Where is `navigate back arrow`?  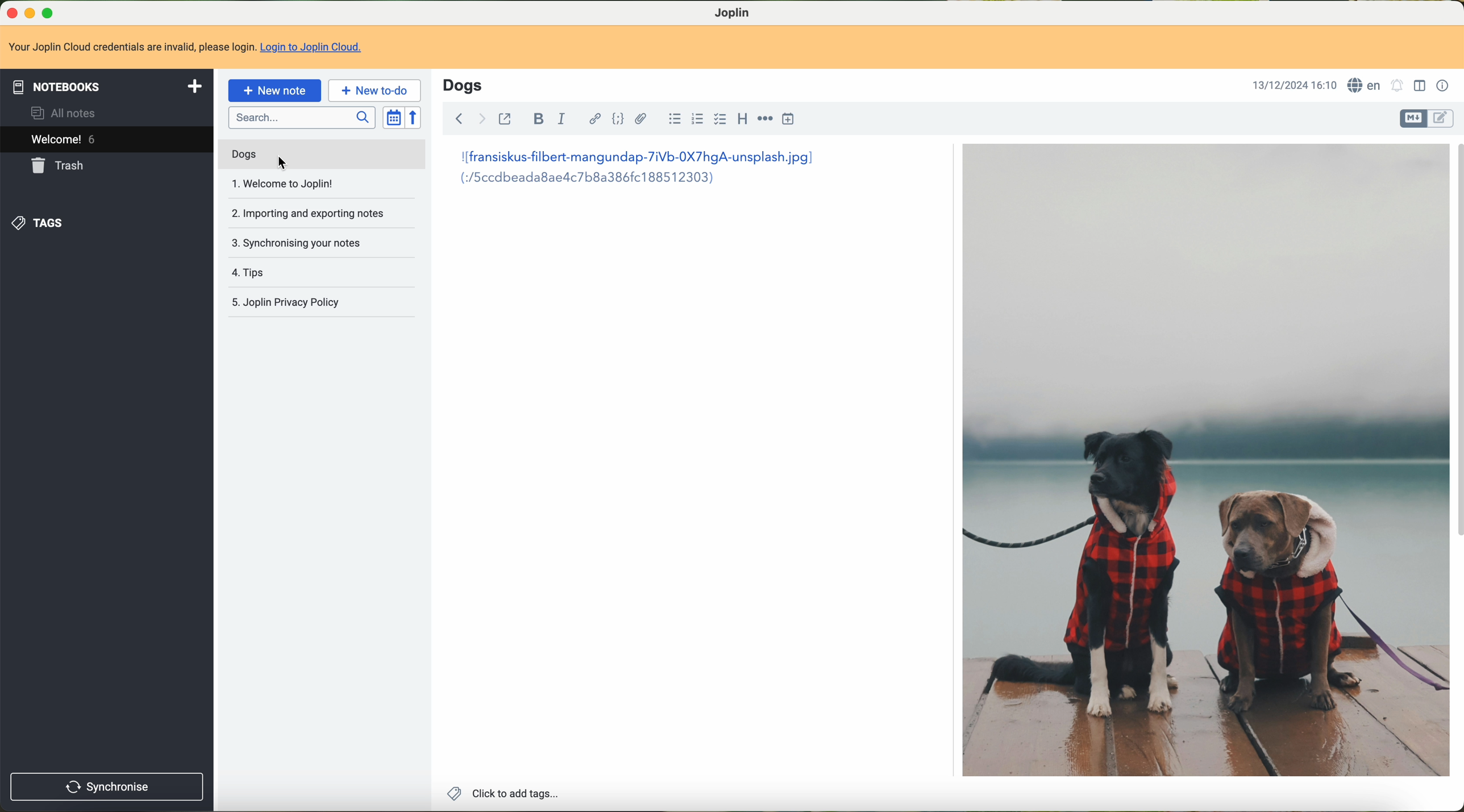
navigate back arrow is located at coordinates (457, 117).